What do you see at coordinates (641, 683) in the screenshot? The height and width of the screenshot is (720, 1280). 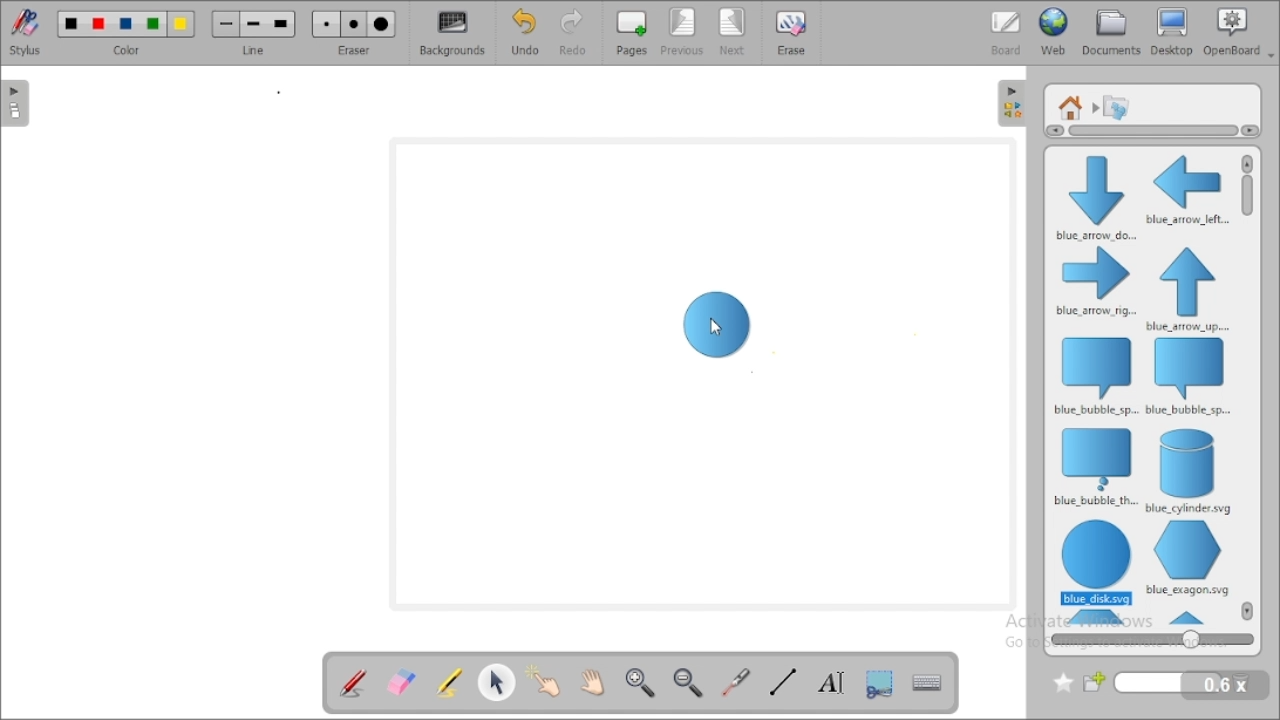 I see `zoom in` at bounding box center [641, 683].